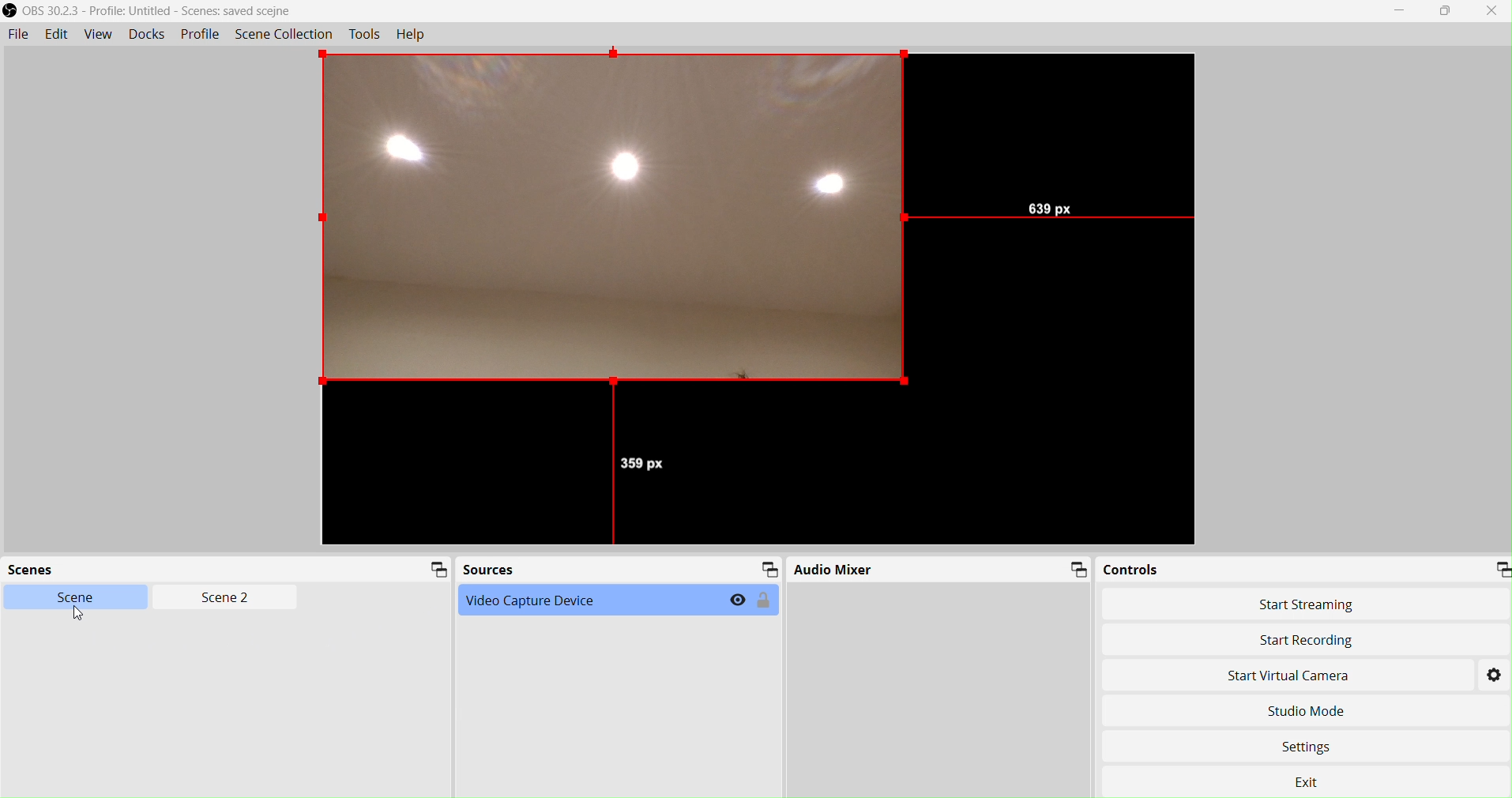  I want to click on Settings, so click(1494, 674).